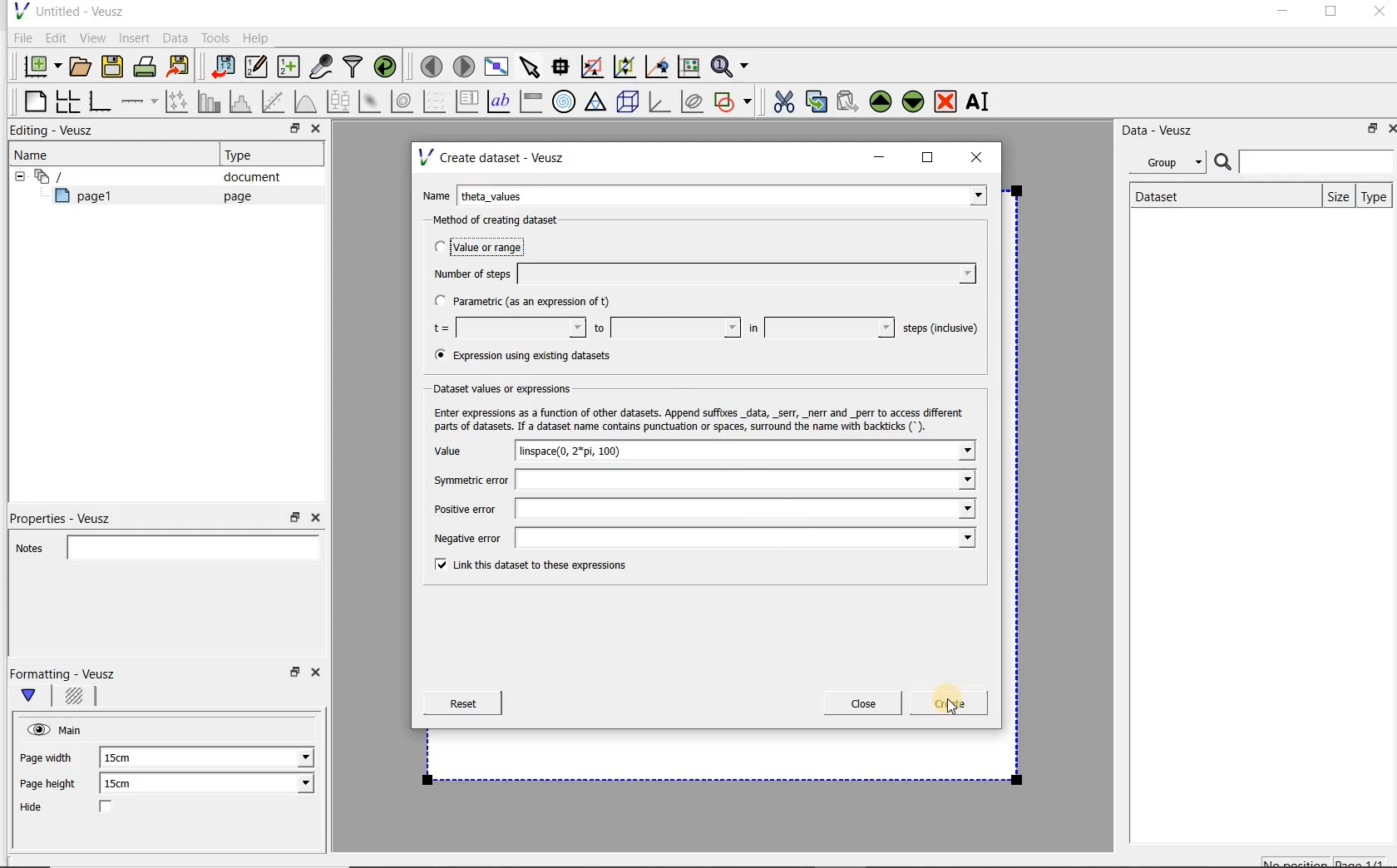 The height and width of the screenshot is (868, 1397). What do you see at coordinates (660, 103) in the screenshot?
I see `3d graph` at bounding box center [660, 103].